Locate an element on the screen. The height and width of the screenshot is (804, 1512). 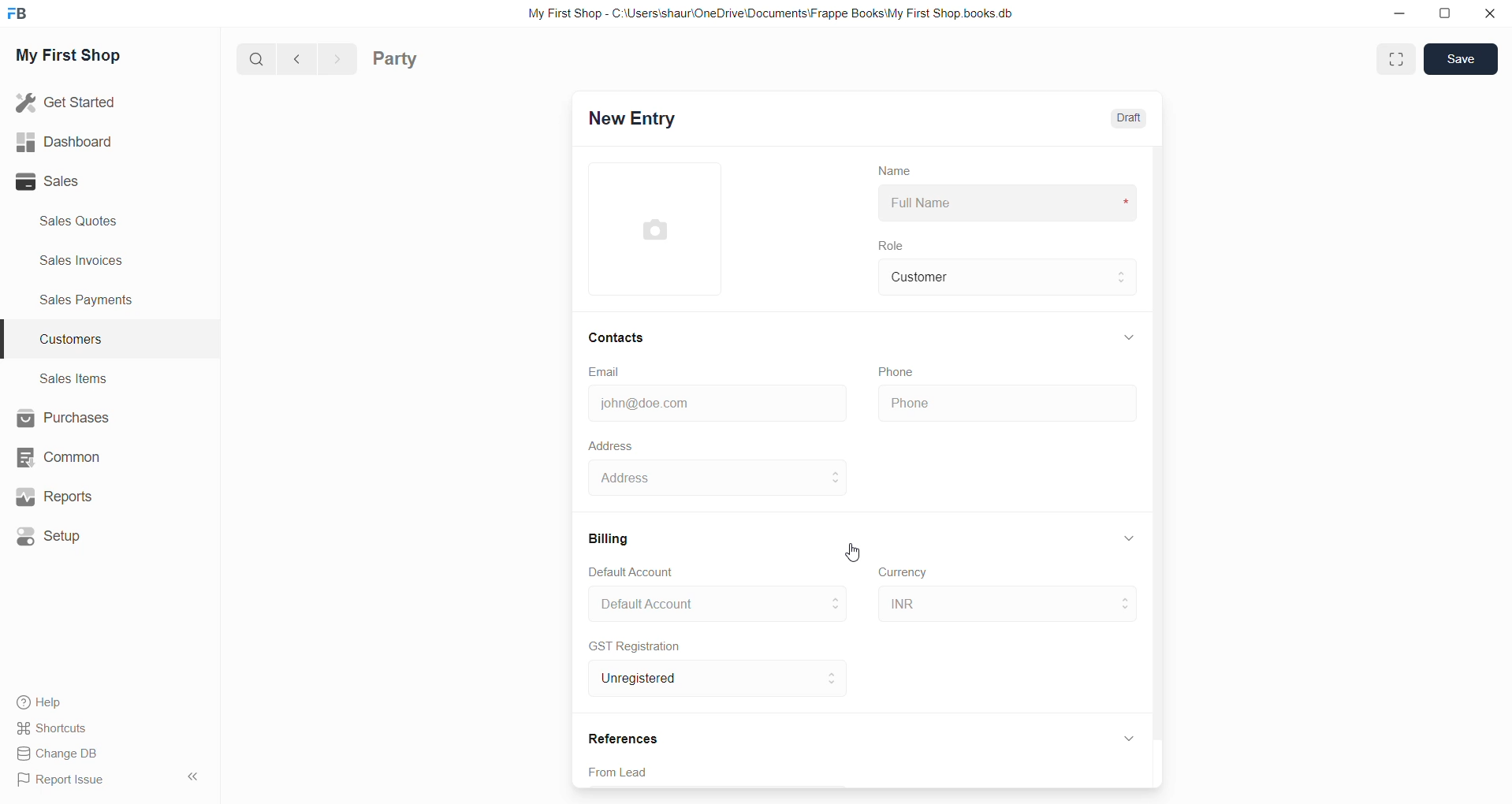
Get Started is located at coordinates (69, 102).